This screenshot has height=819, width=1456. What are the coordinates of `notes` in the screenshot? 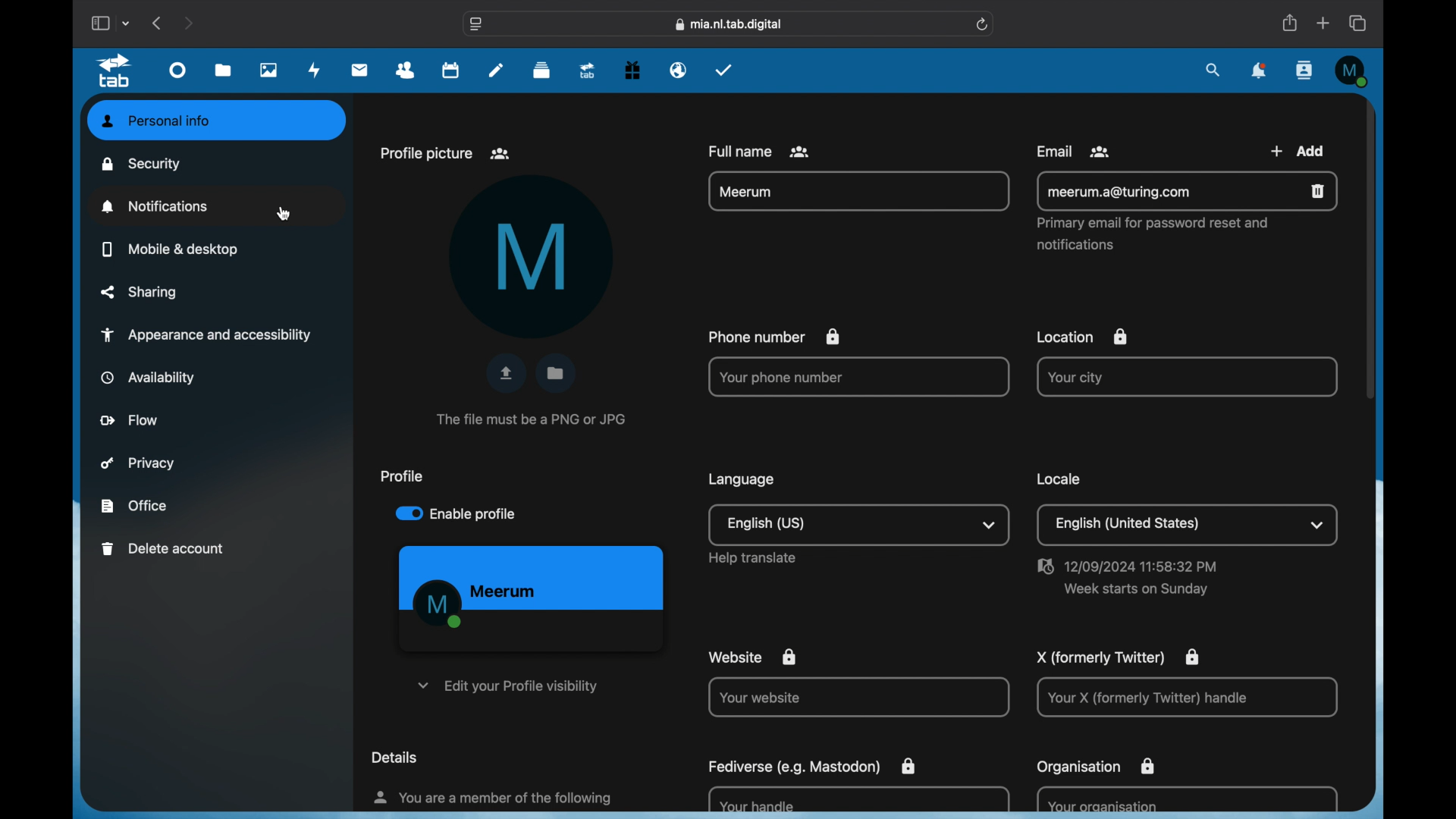 It's located at (496, 69).